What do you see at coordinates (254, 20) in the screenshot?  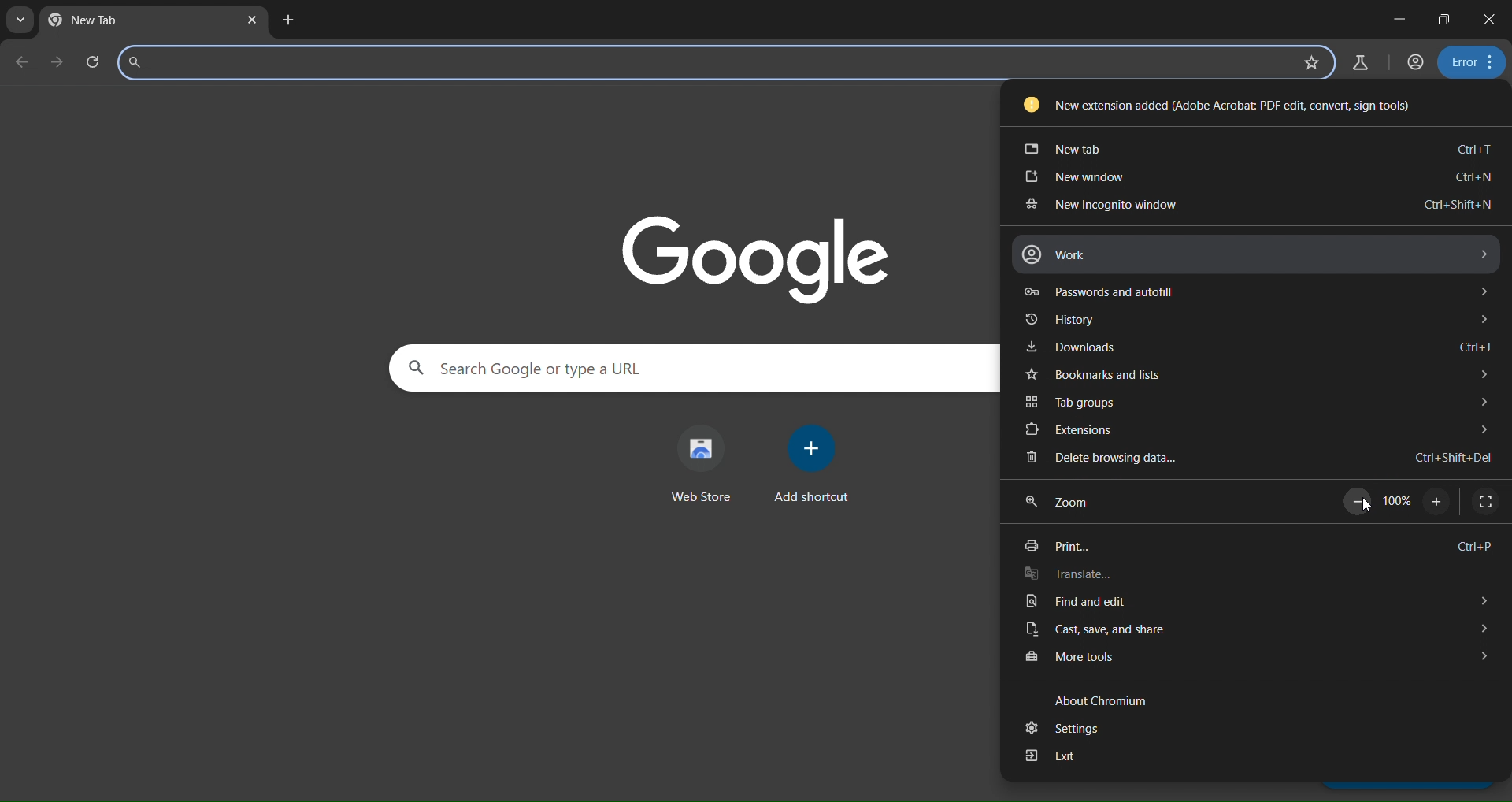 I see `close tab` at bounding box center [254, 20].